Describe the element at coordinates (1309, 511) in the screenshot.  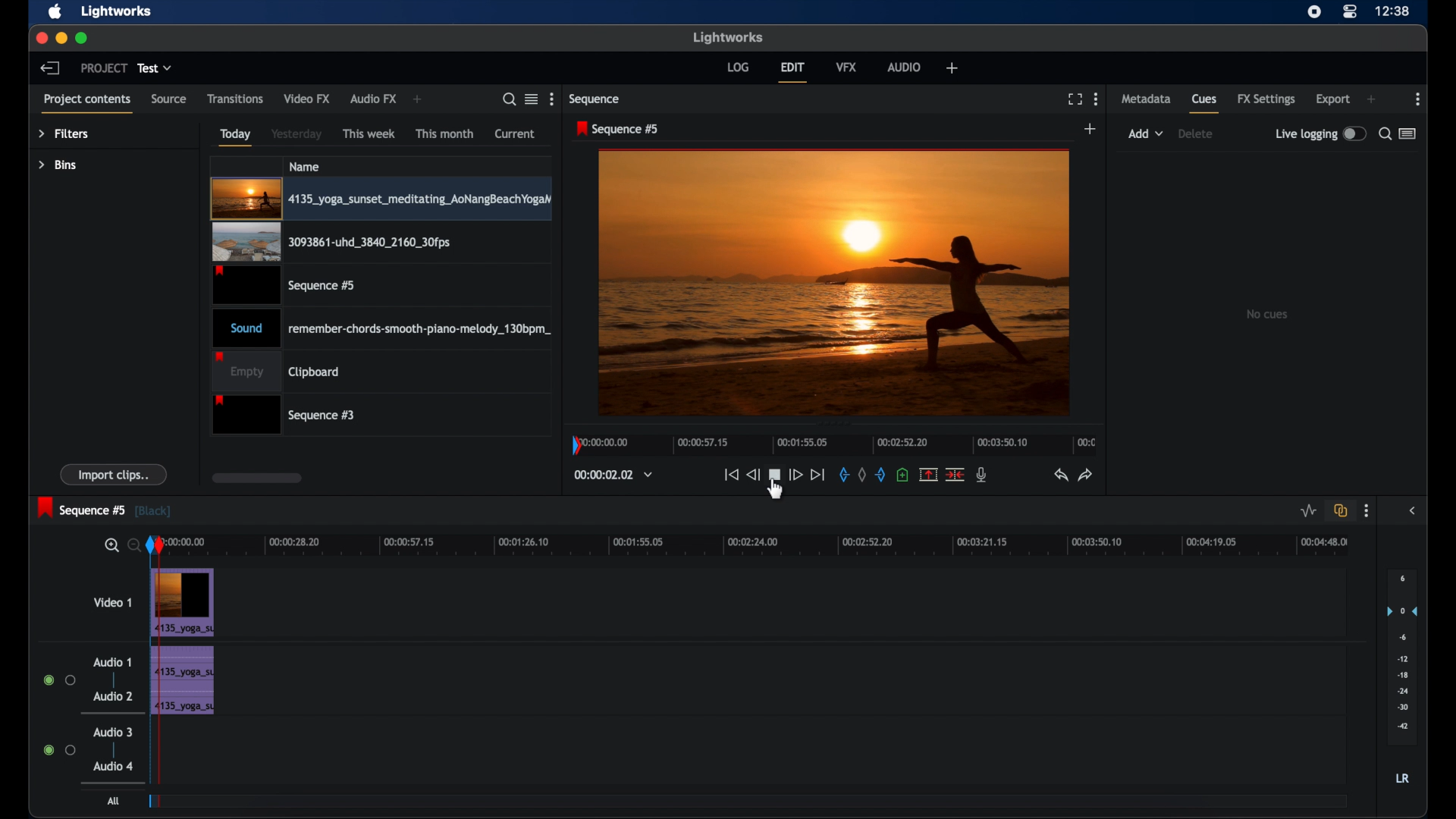
I see `toggle audio level editing` at that location.